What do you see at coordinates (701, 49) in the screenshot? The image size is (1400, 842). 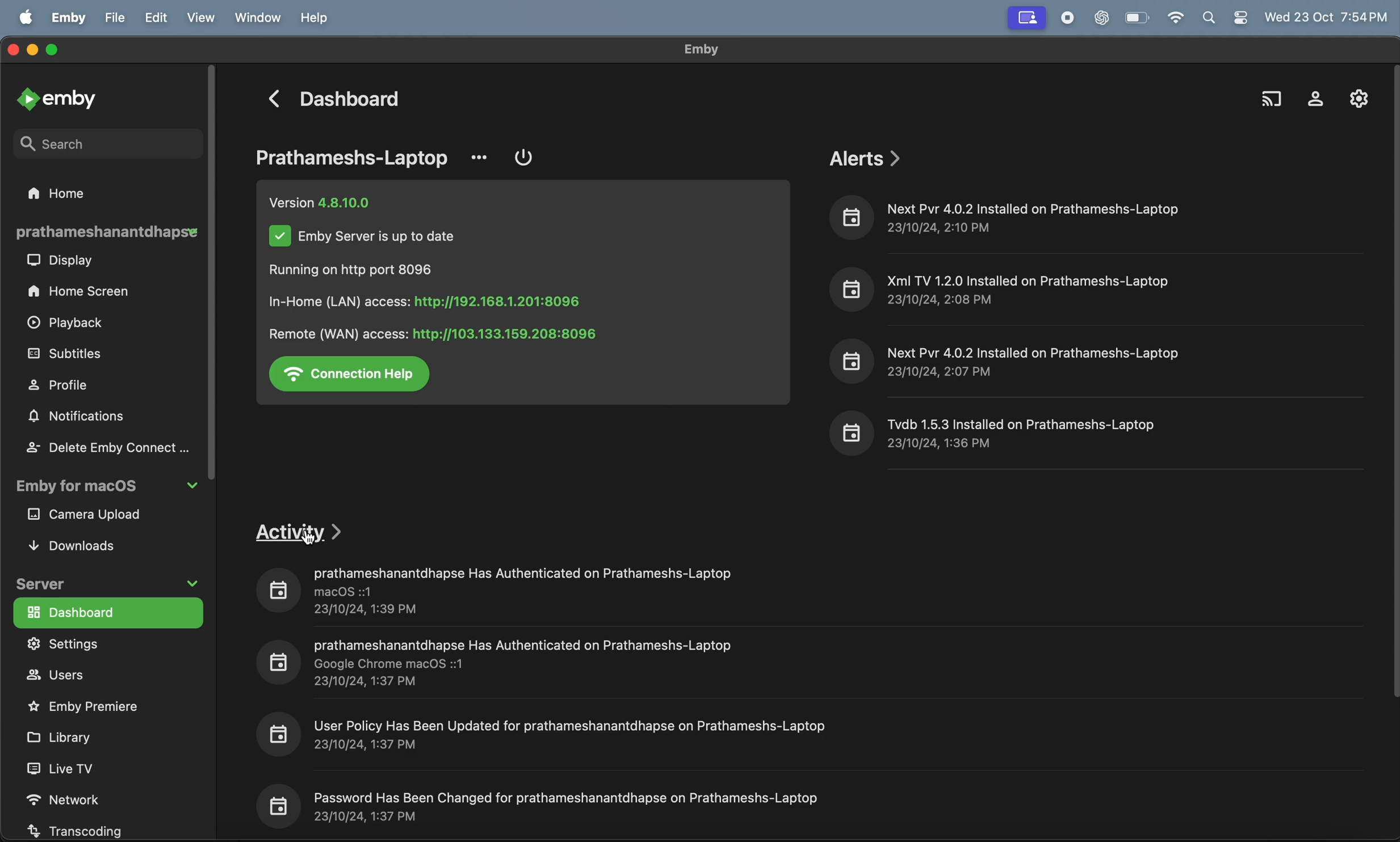 I see `emby title` at bounding box center [701, 49].